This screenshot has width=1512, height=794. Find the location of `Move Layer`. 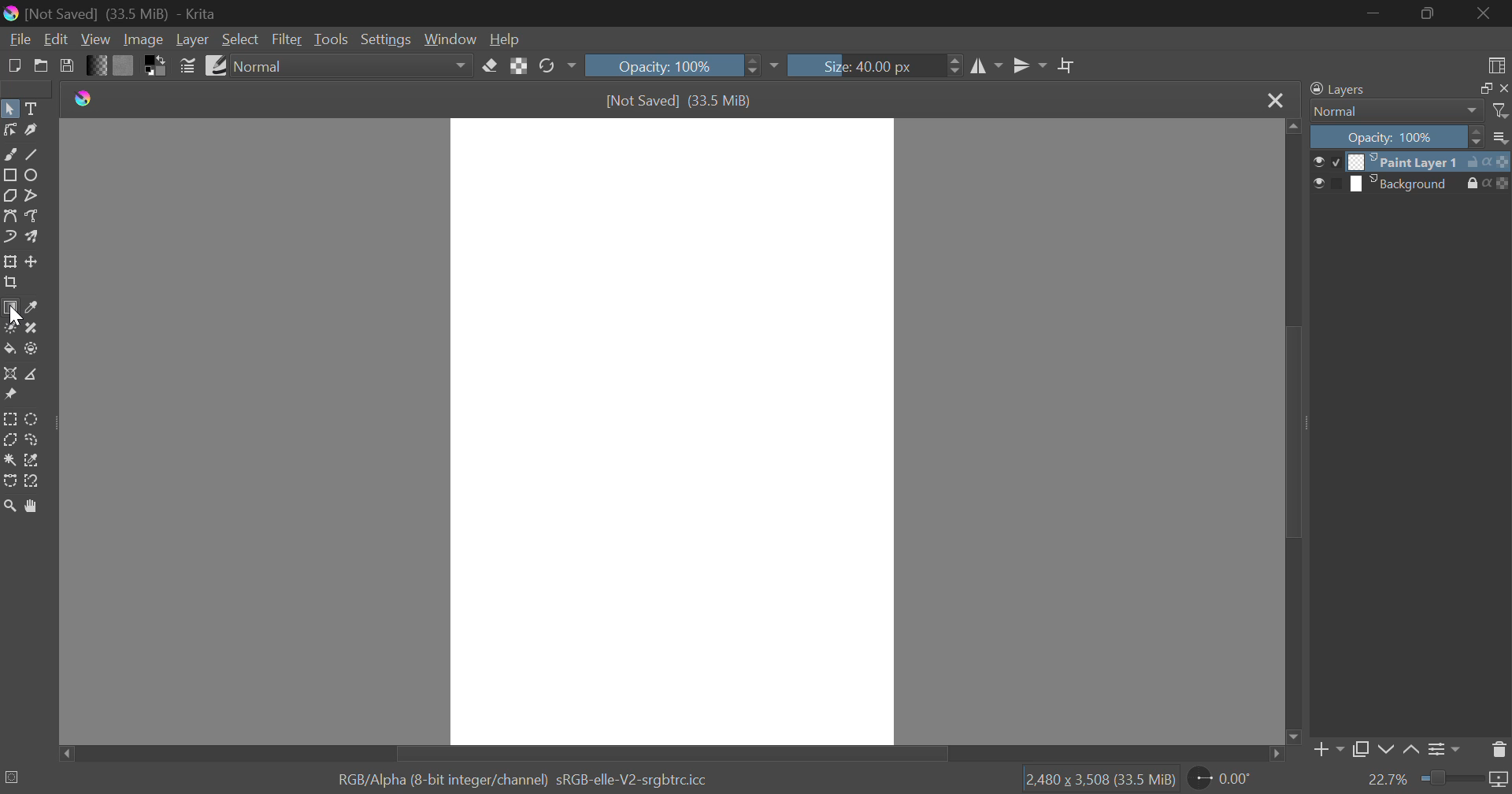

Move Layer is located at coordinates (32, 262).